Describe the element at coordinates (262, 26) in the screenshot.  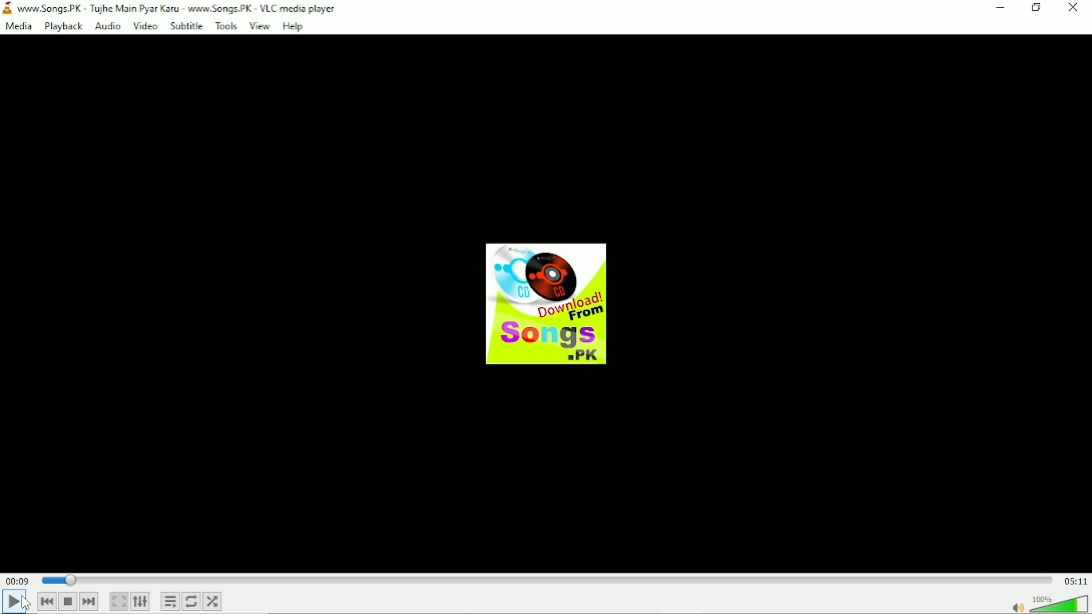
I see `View` at that location.